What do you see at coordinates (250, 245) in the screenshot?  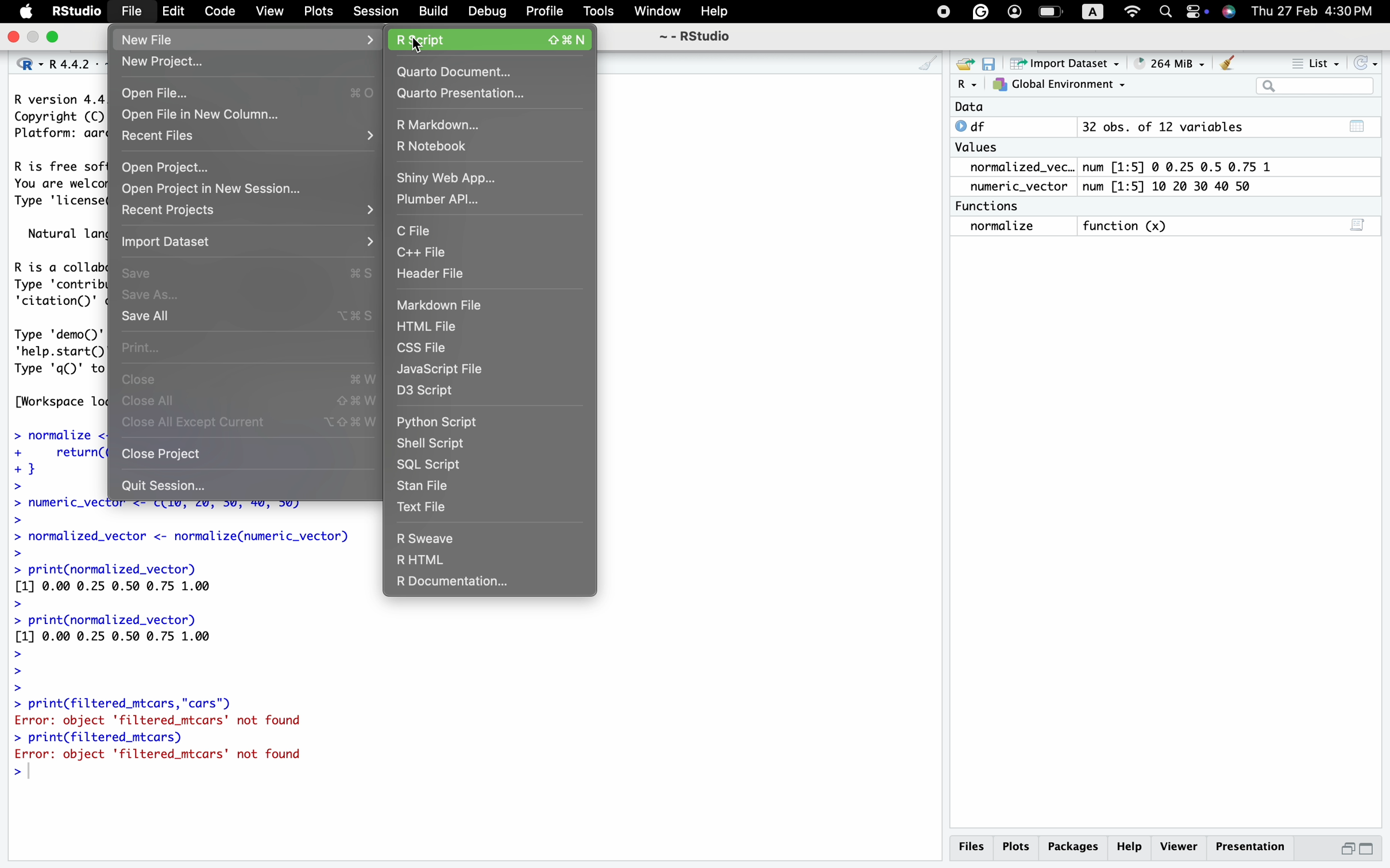 I see `import dataset` at bounding box center [250, 245].